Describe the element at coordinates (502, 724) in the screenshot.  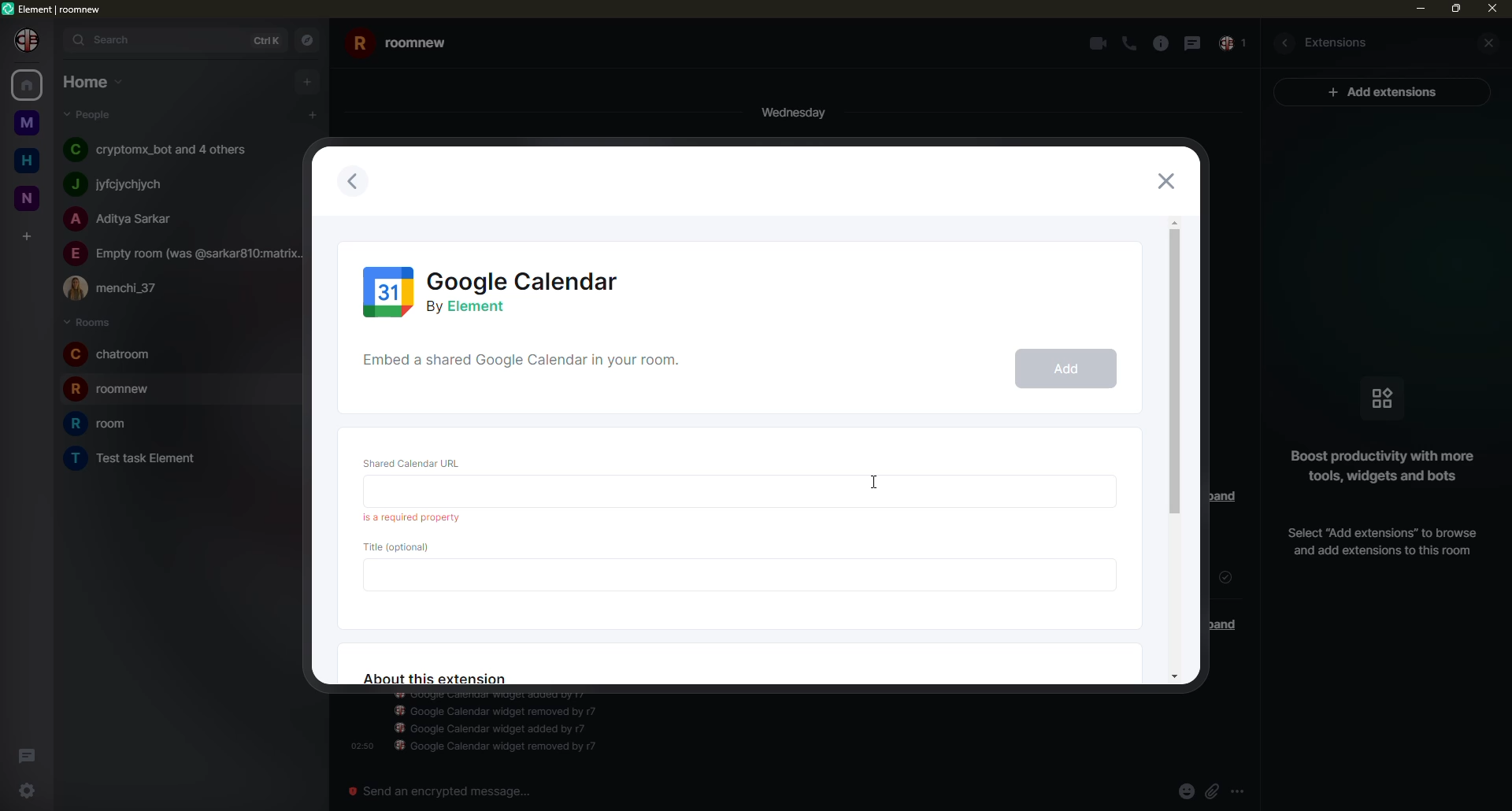
I see `info` at that location.